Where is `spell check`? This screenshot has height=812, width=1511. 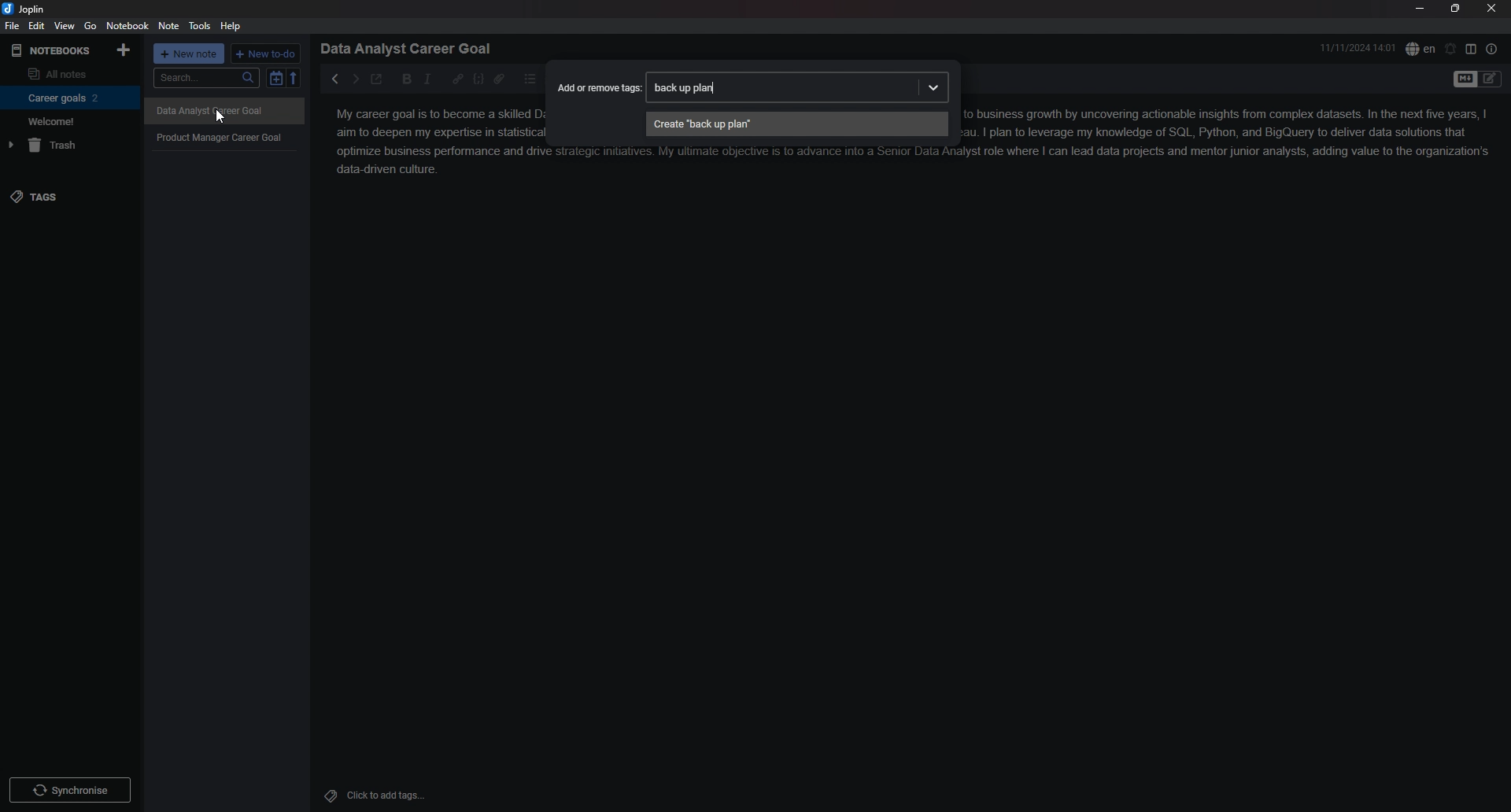
spell check is located at coordinates (1420, 49).